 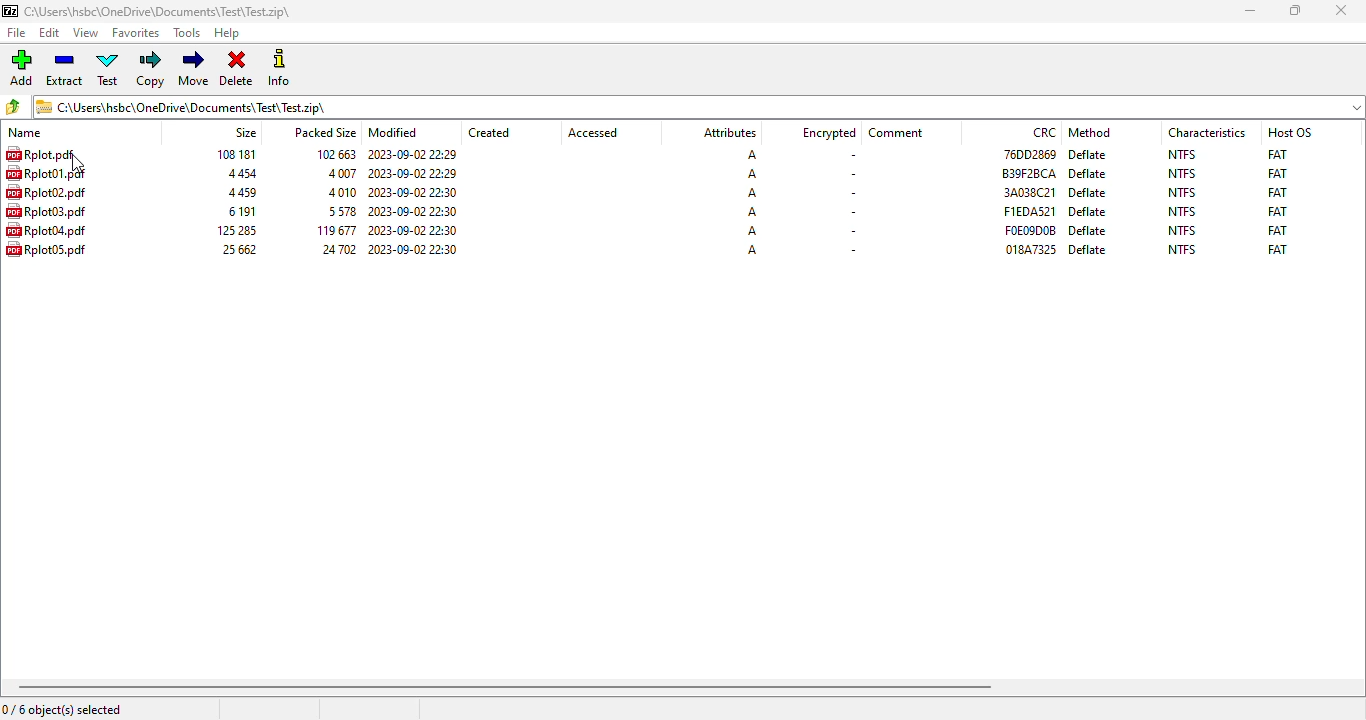 What do you see at coordinates (1183, 230) in the screenshot?
I see `NTFS` at bounding box center [1183, 230].